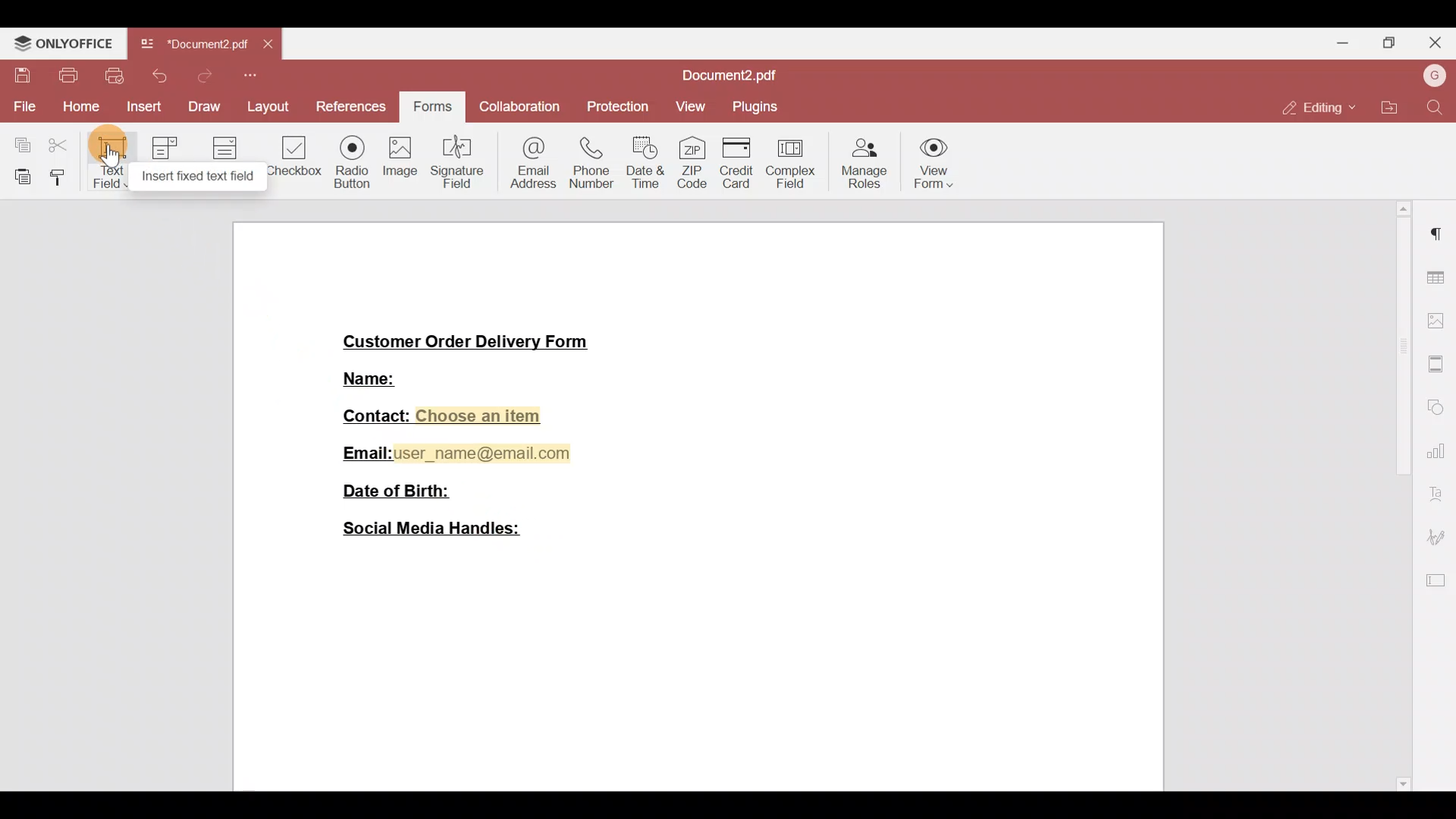 This screenshot has height=819, width=1456. What do you see at coordinates (109, 157) in the screenshot?
I see `Cursor` at bounding box center [109, 157].